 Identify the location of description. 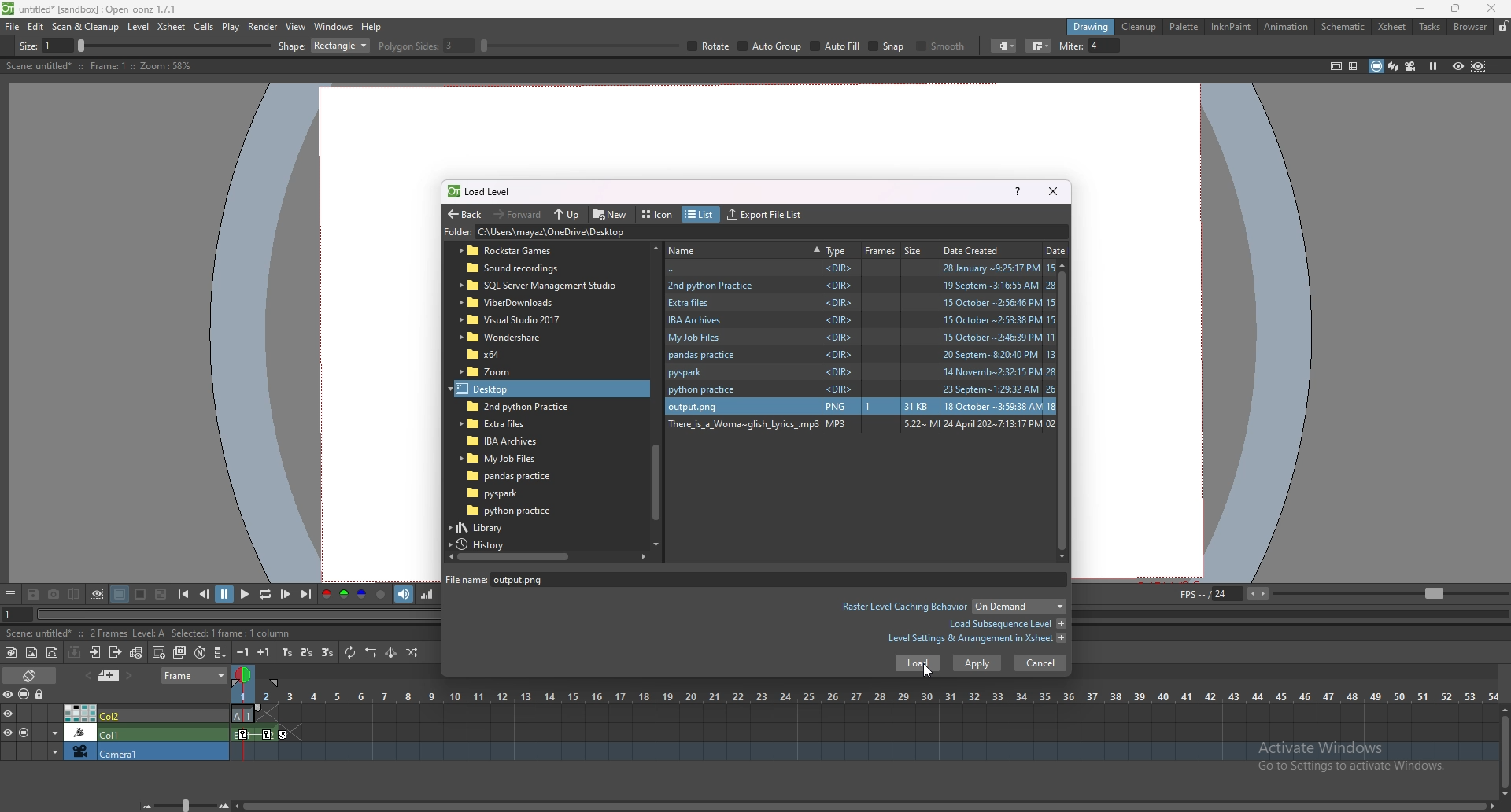
(130, 632).